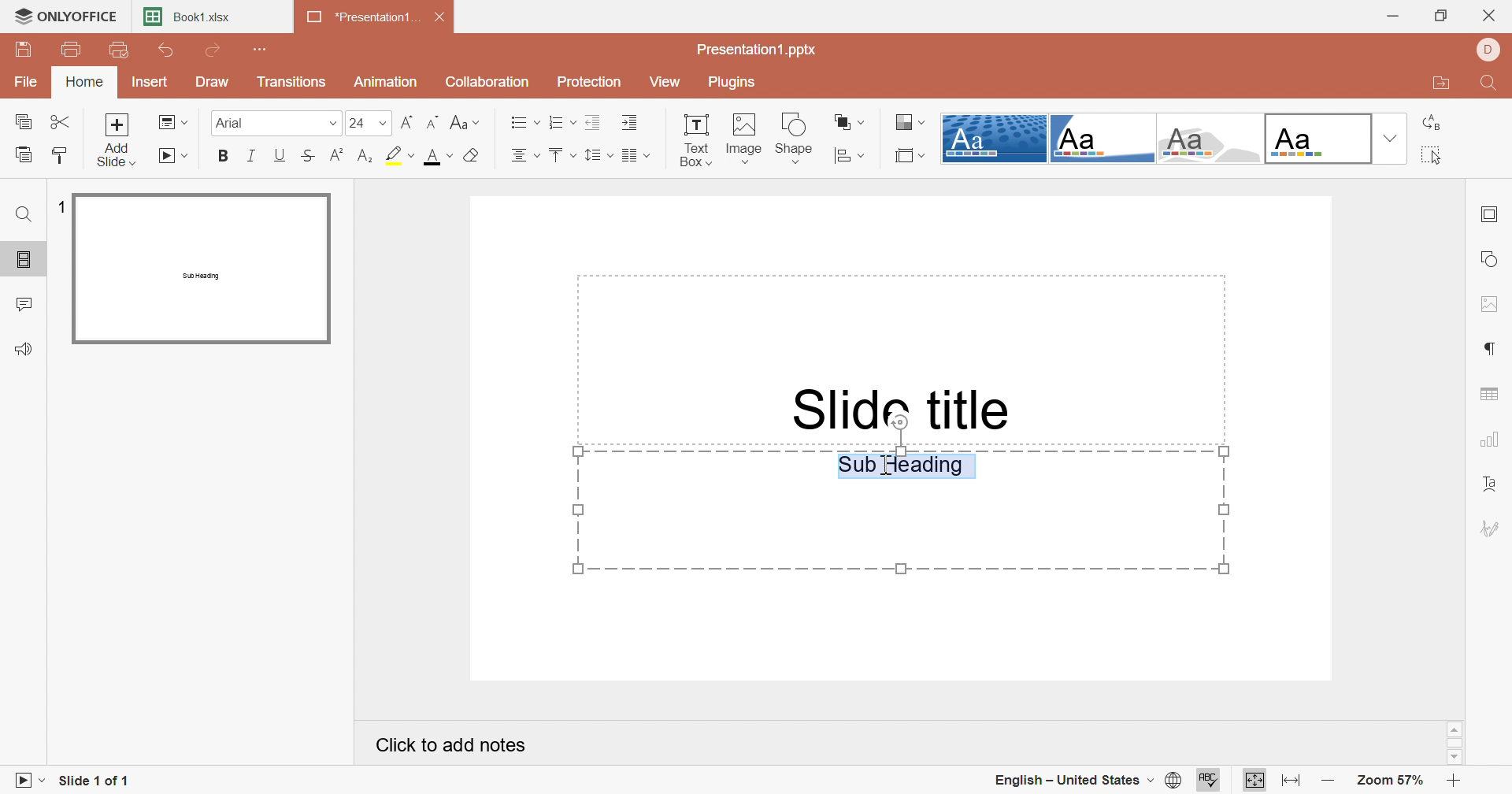  Describe the element at coordinates (485, 82) in the screenshot. I see `Collaboration` at that location.